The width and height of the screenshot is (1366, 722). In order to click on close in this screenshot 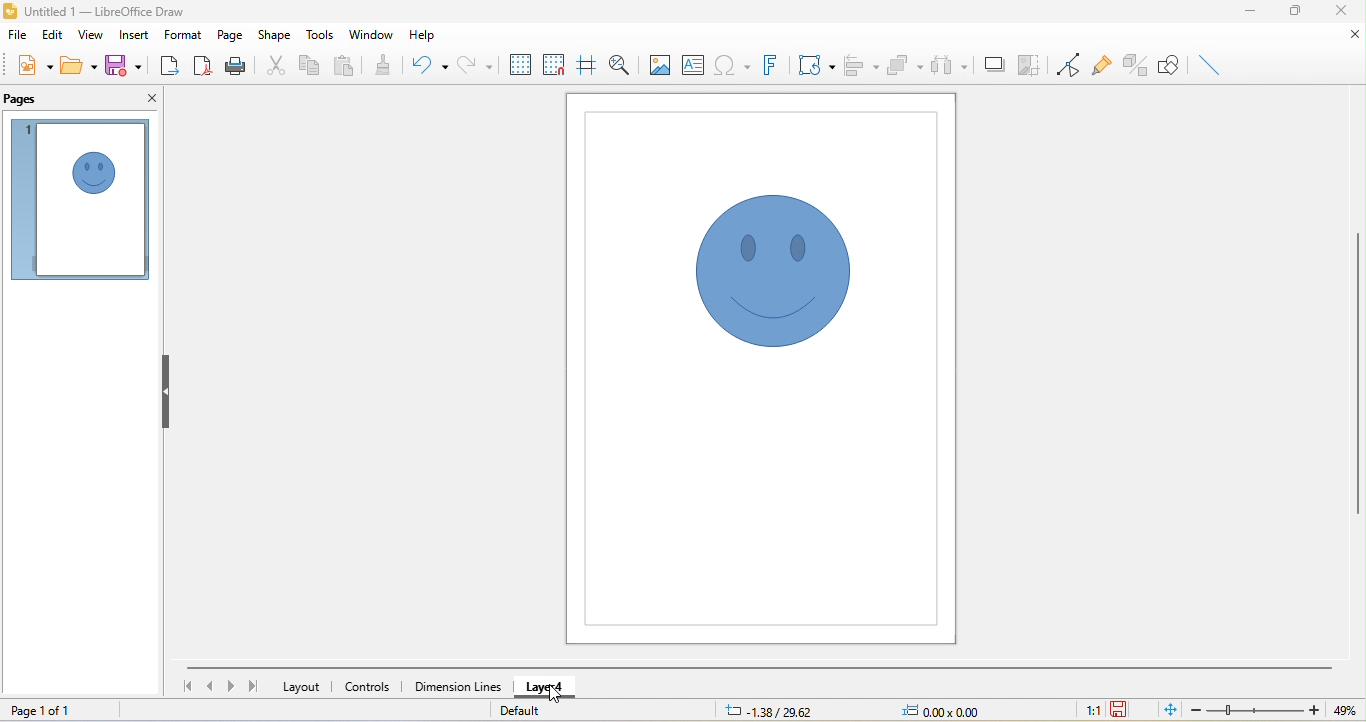, I will do `click(1346, 37)`.